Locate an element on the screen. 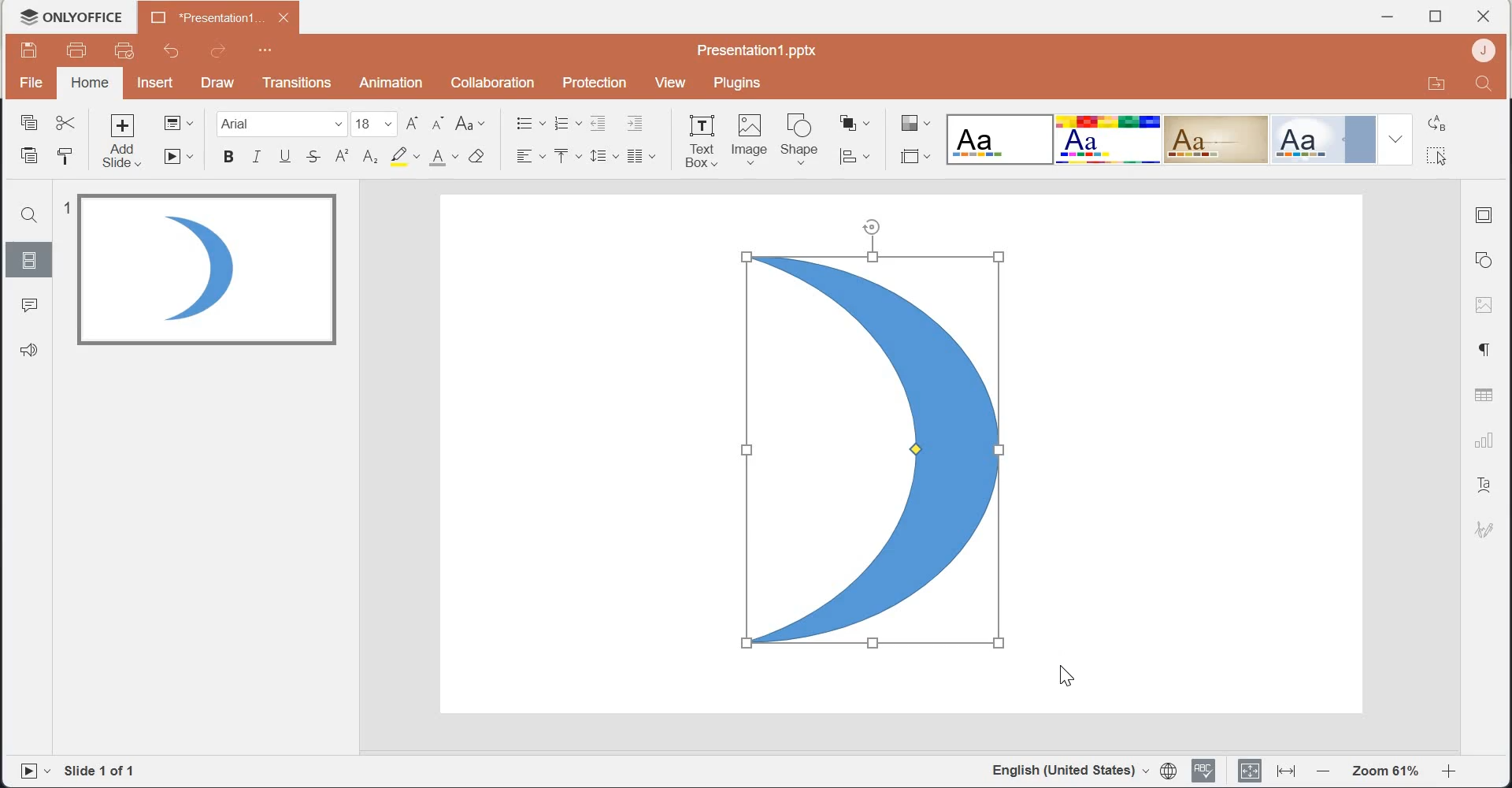 Image resolution: width=1512 pixels, height=788 pixels. Slide 1 of 1 is located at coordinates (105, 771).